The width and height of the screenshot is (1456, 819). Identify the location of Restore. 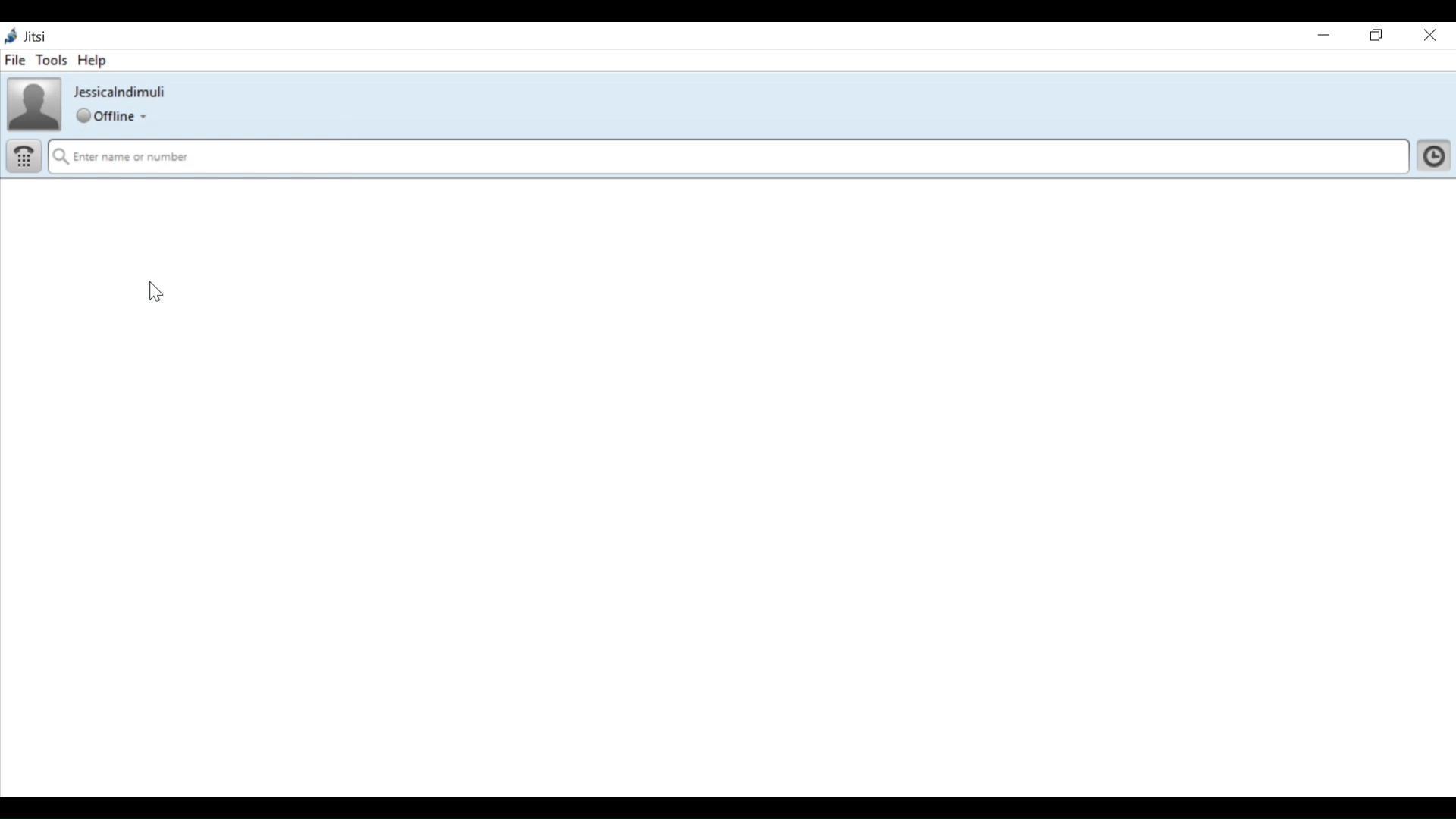
(1375, 36).